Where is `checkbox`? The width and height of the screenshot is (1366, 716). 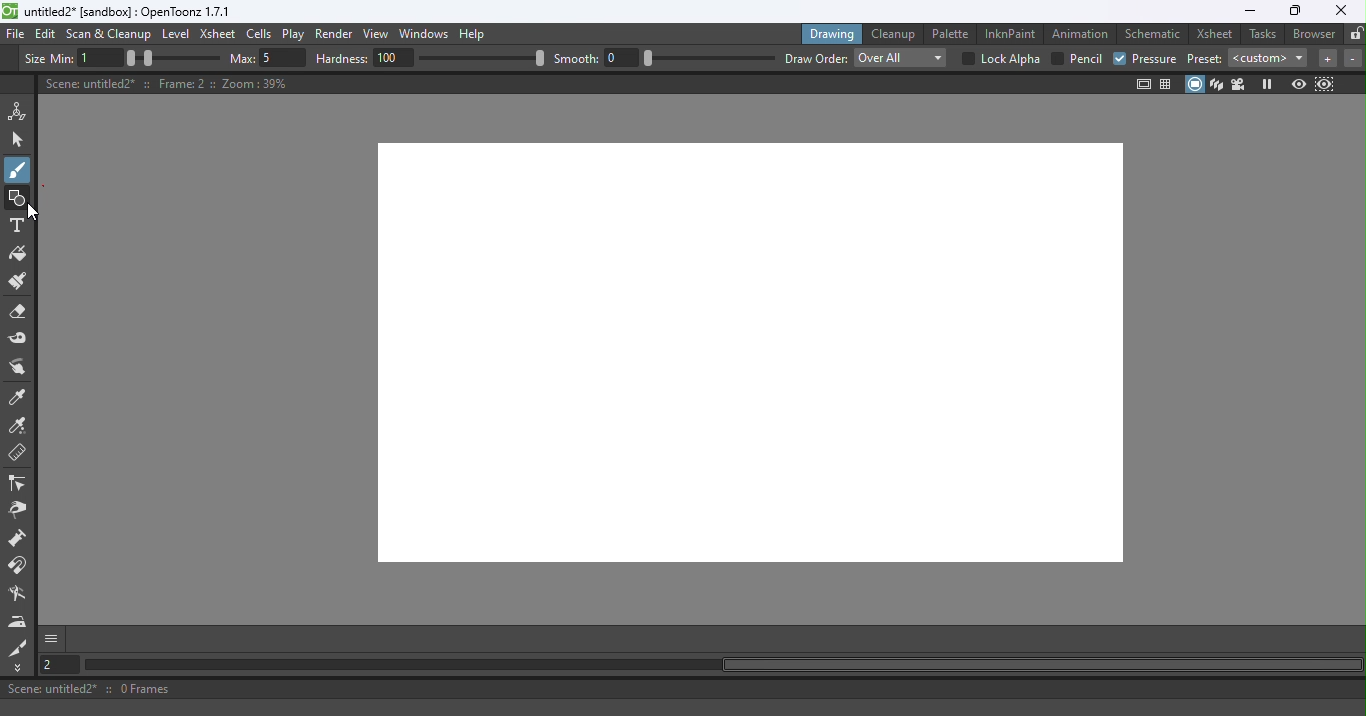
checkbox is located at coordinates (1118, 59).